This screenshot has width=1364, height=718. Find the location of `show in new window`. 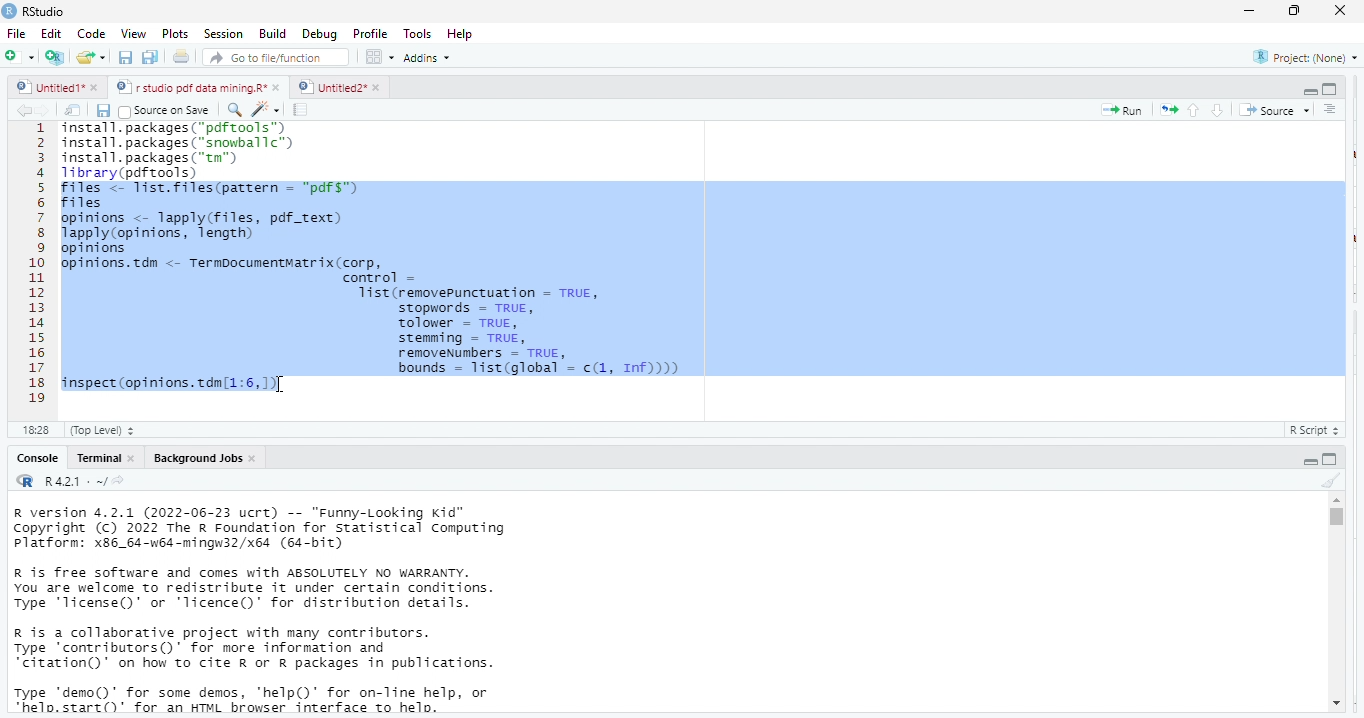

show in new window is located at coordinates (75, 110).